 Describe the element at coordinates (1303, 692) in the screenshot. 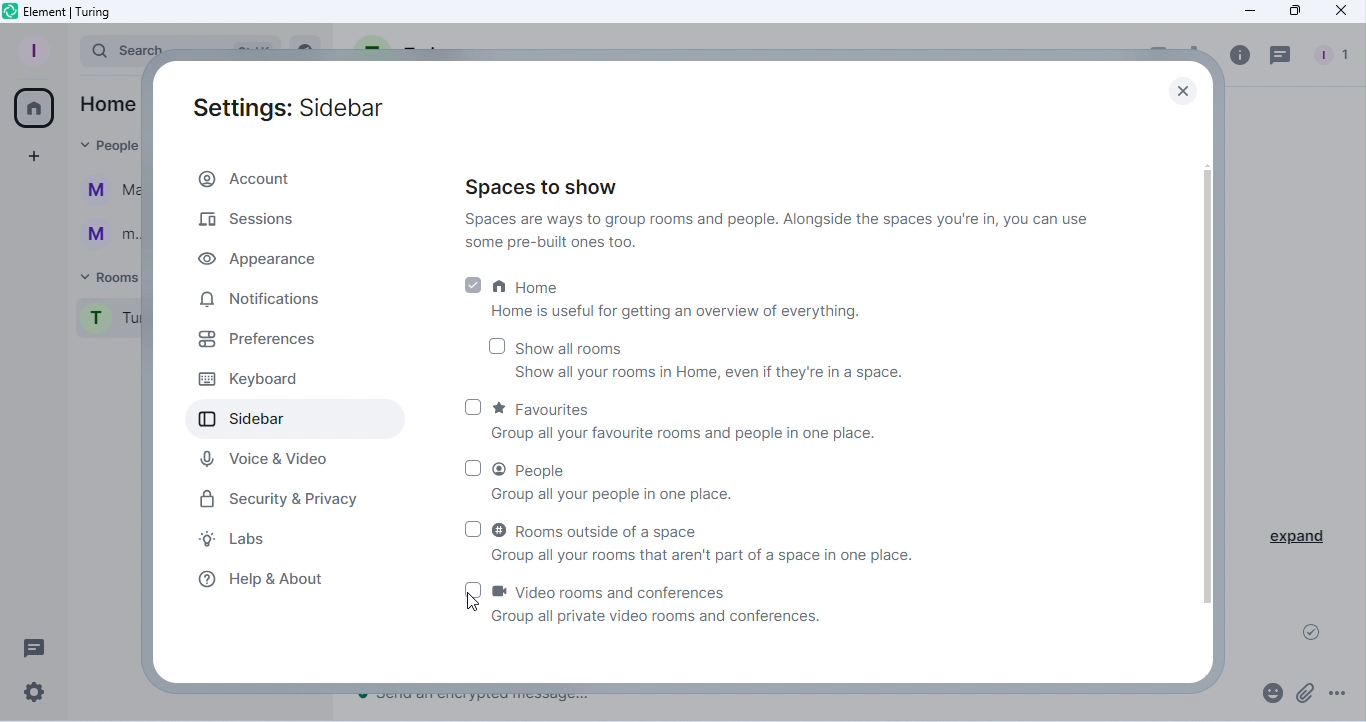

I see `Attachments` at that location.